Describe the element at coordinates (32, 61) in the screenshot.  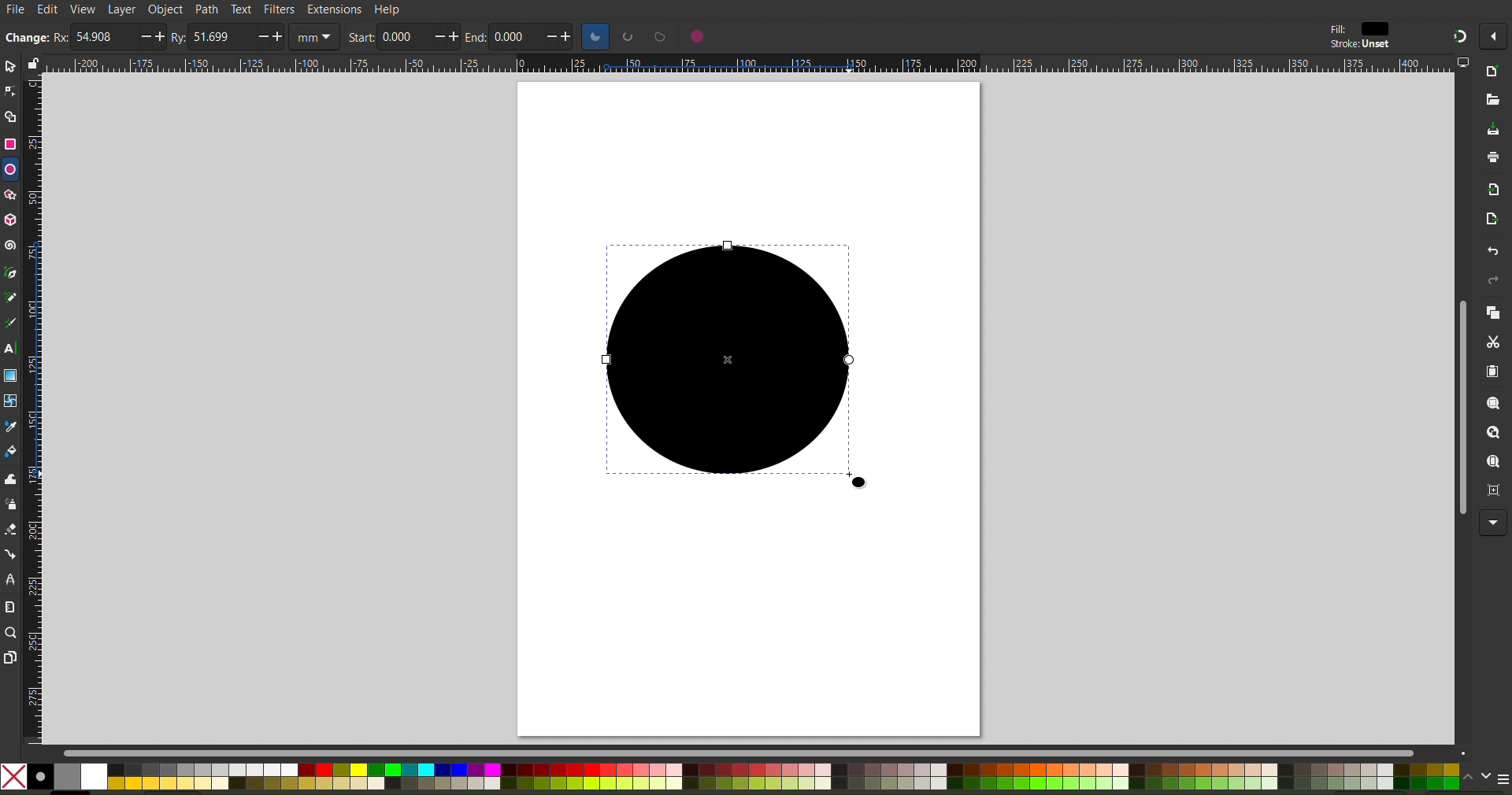
I see `lock` at that location.